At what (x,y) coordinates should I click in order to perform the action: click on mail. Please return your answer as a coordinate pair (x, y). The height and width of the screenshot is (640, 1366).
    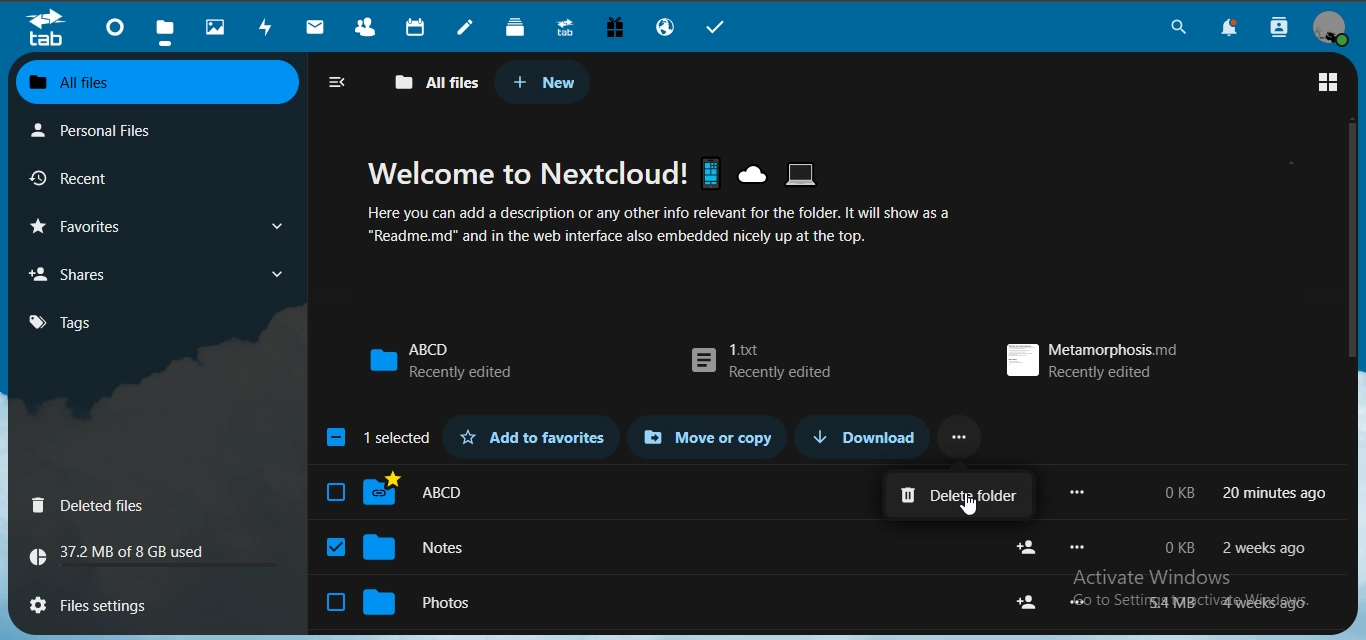
    Looking at the image, I should click on (318, 26).